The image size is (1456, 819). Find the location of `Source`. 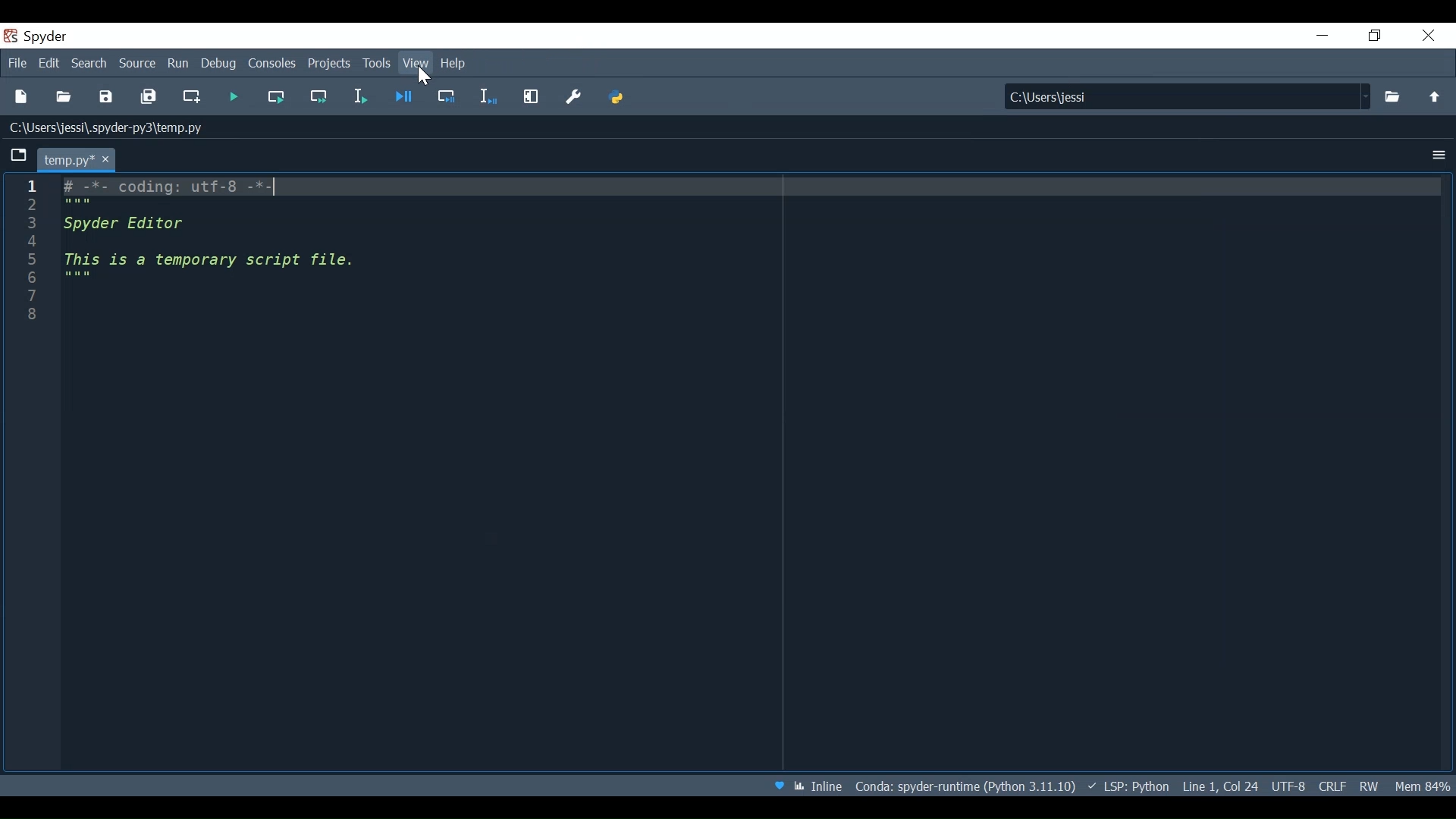

Source is located at coordinates (137, 64).